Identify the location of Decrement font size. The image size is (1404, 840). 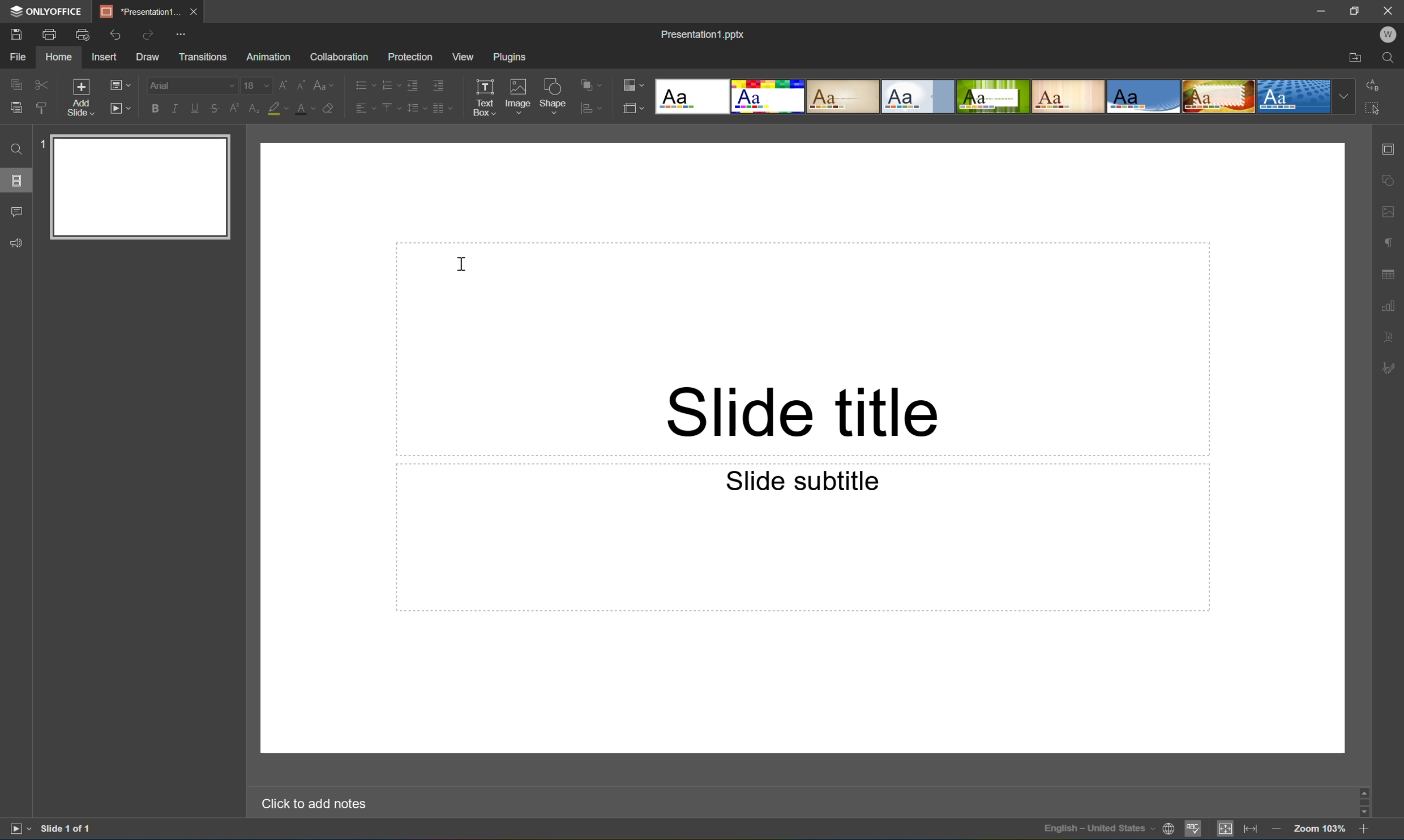
(302, 84).